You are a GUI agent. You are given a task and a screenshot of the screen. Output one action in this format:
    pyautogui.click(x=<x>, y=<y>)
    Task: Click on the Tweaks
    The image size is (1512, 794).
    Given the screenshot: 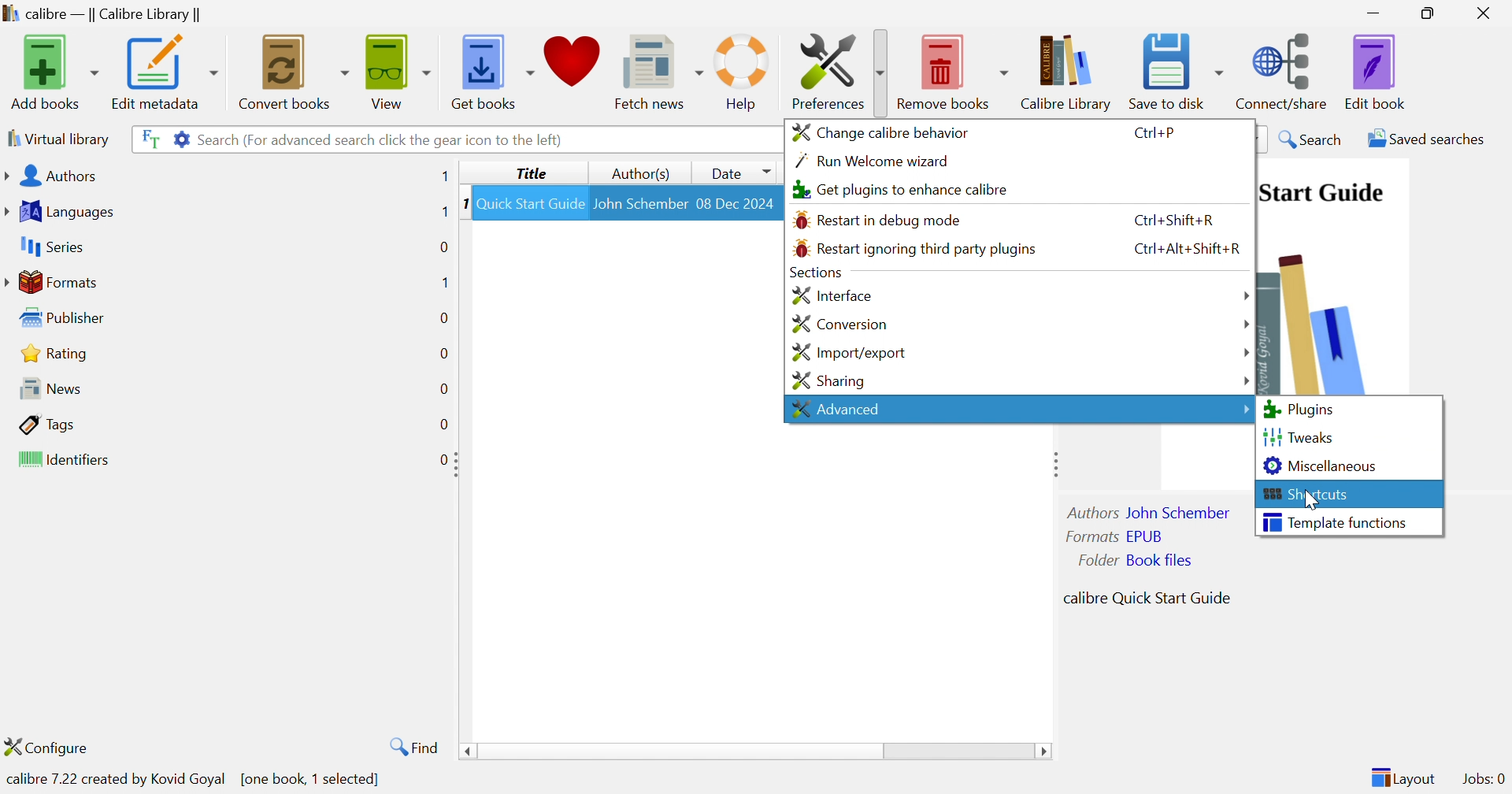 What is the action you would take?
    pyautogui.click(x=1299, y=435)
    